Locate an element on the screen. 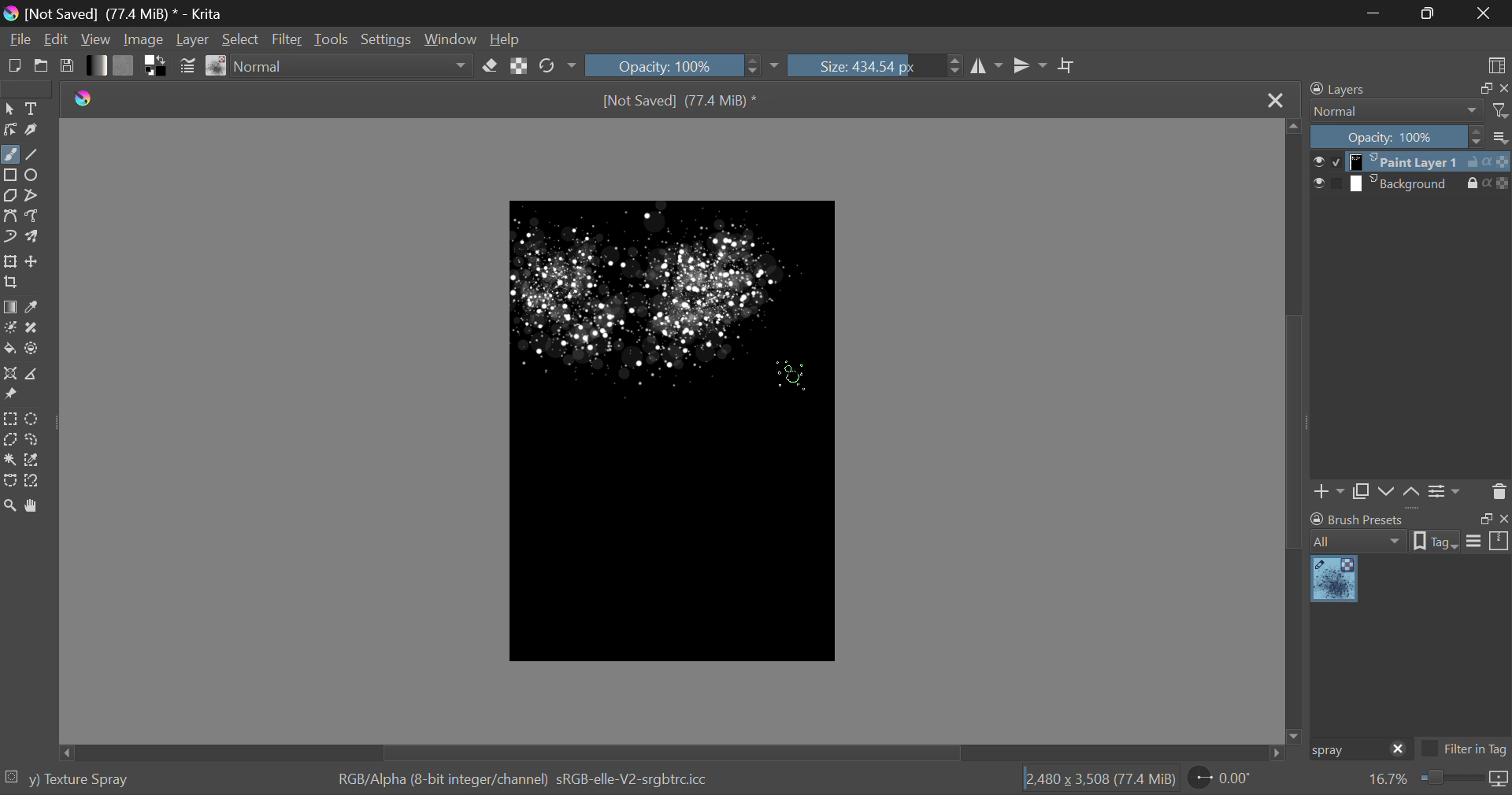  restore is located at coordinates (1483, 89).